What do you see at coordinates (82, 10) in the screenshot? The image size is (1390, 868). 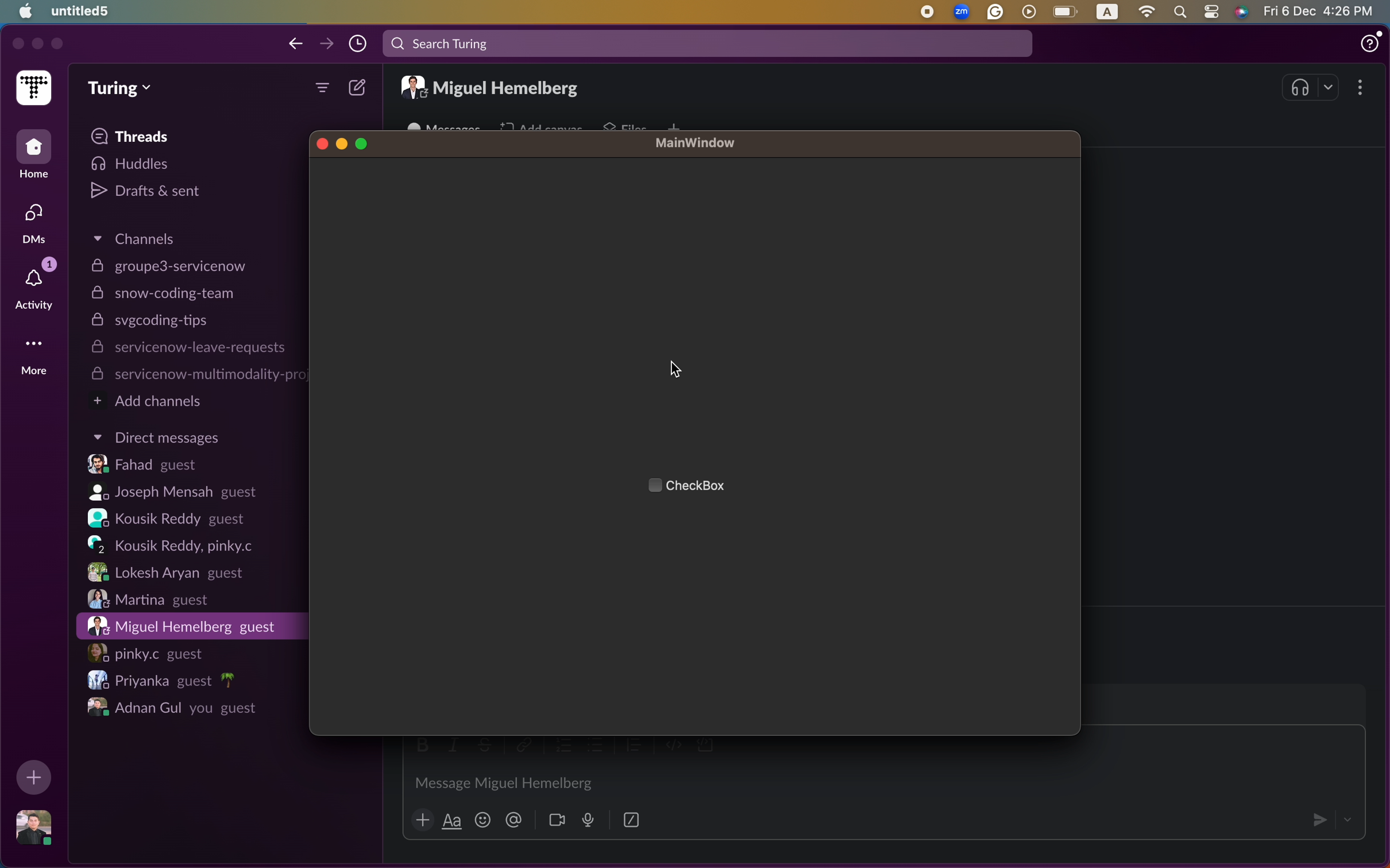 I see `untitled5` at bounding box center [82, 10].